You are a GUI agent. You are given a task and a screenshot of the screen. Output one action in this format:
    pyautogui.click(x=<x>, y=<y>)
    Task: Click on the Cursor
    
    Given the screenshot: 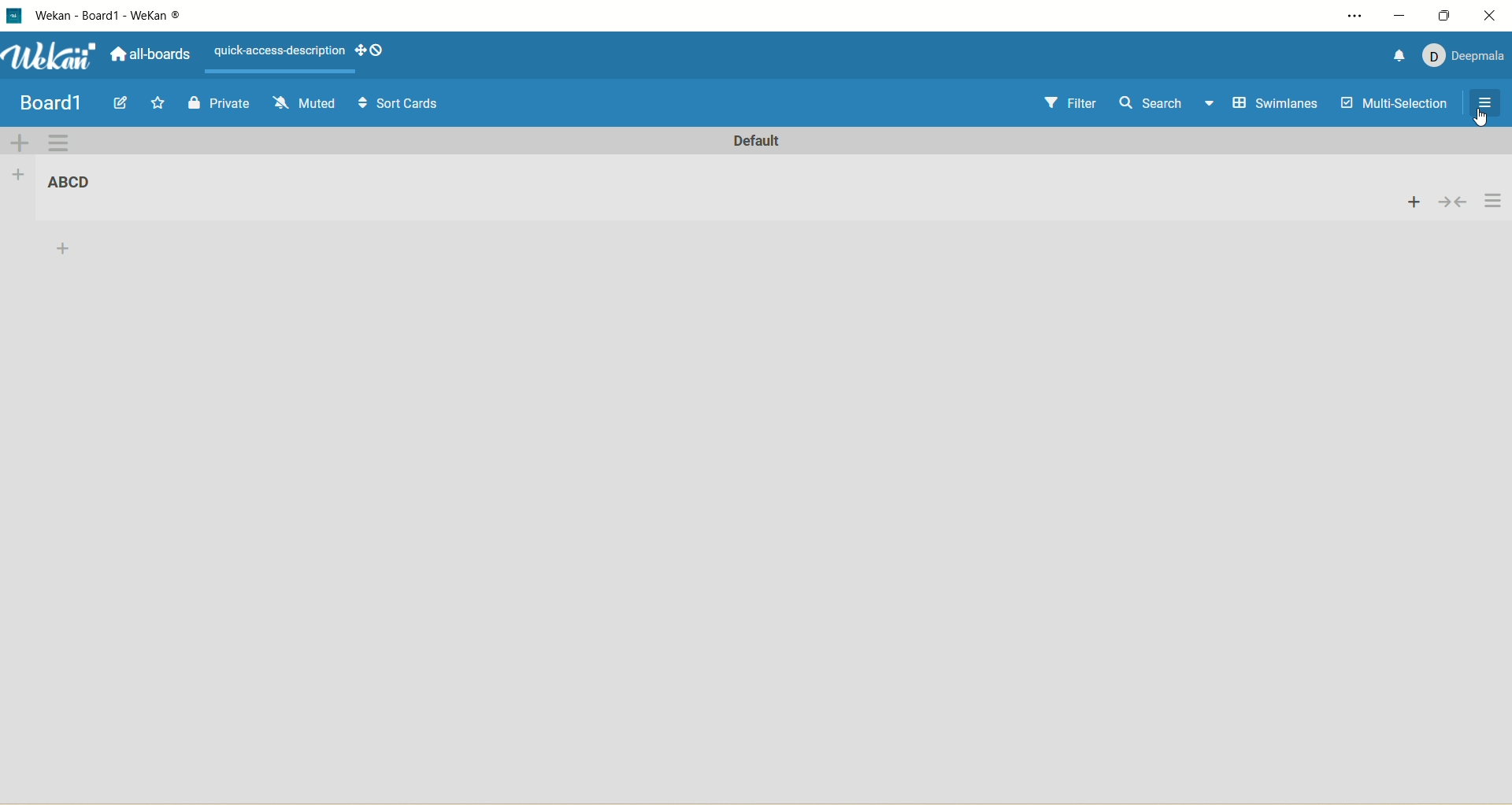 What is the action you would take?
    pyautogui.click(x=1484, y=120)
    